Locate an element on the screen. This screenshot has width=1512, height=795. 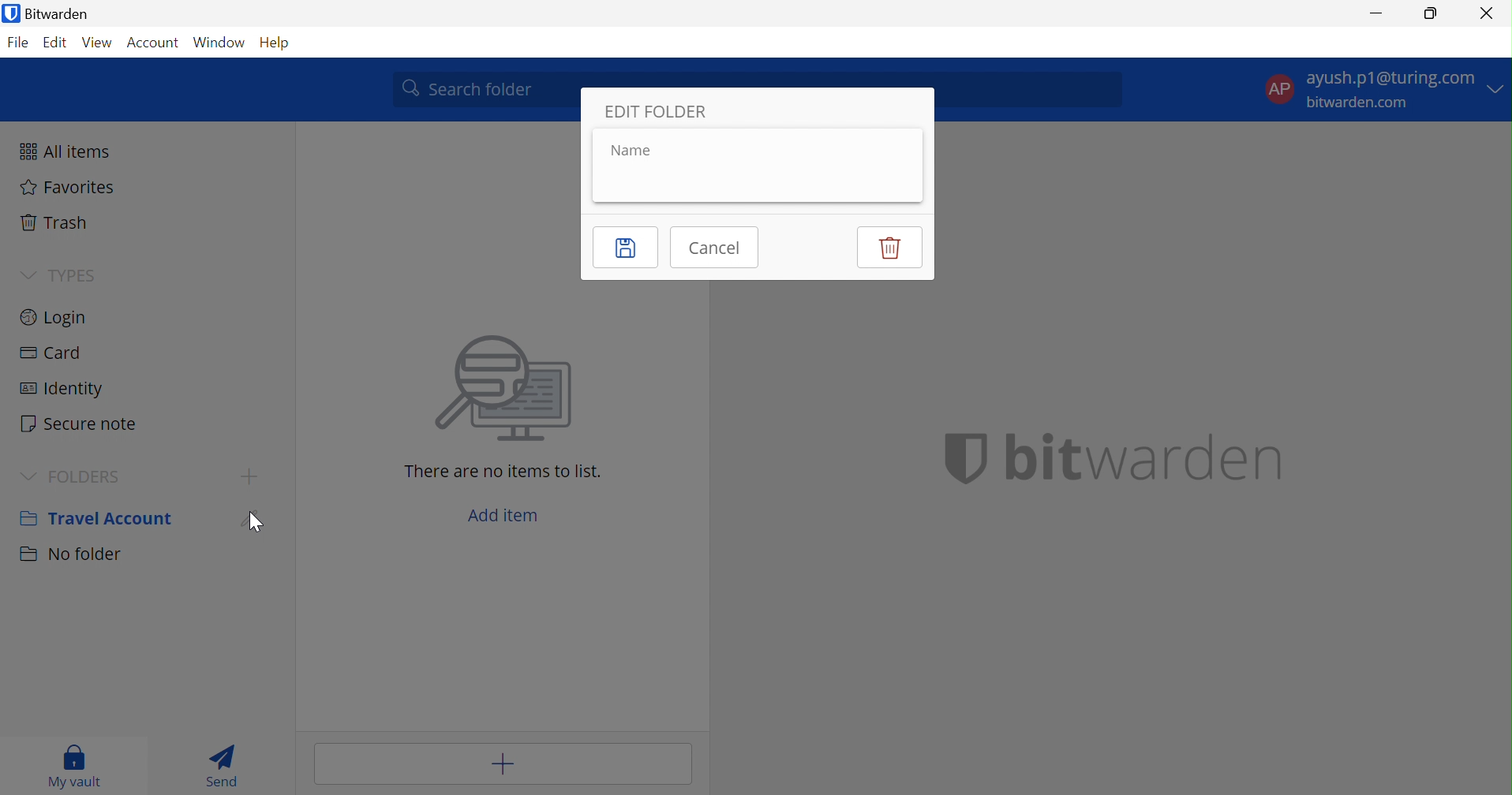
Close is located at coordinates (1487, 13).